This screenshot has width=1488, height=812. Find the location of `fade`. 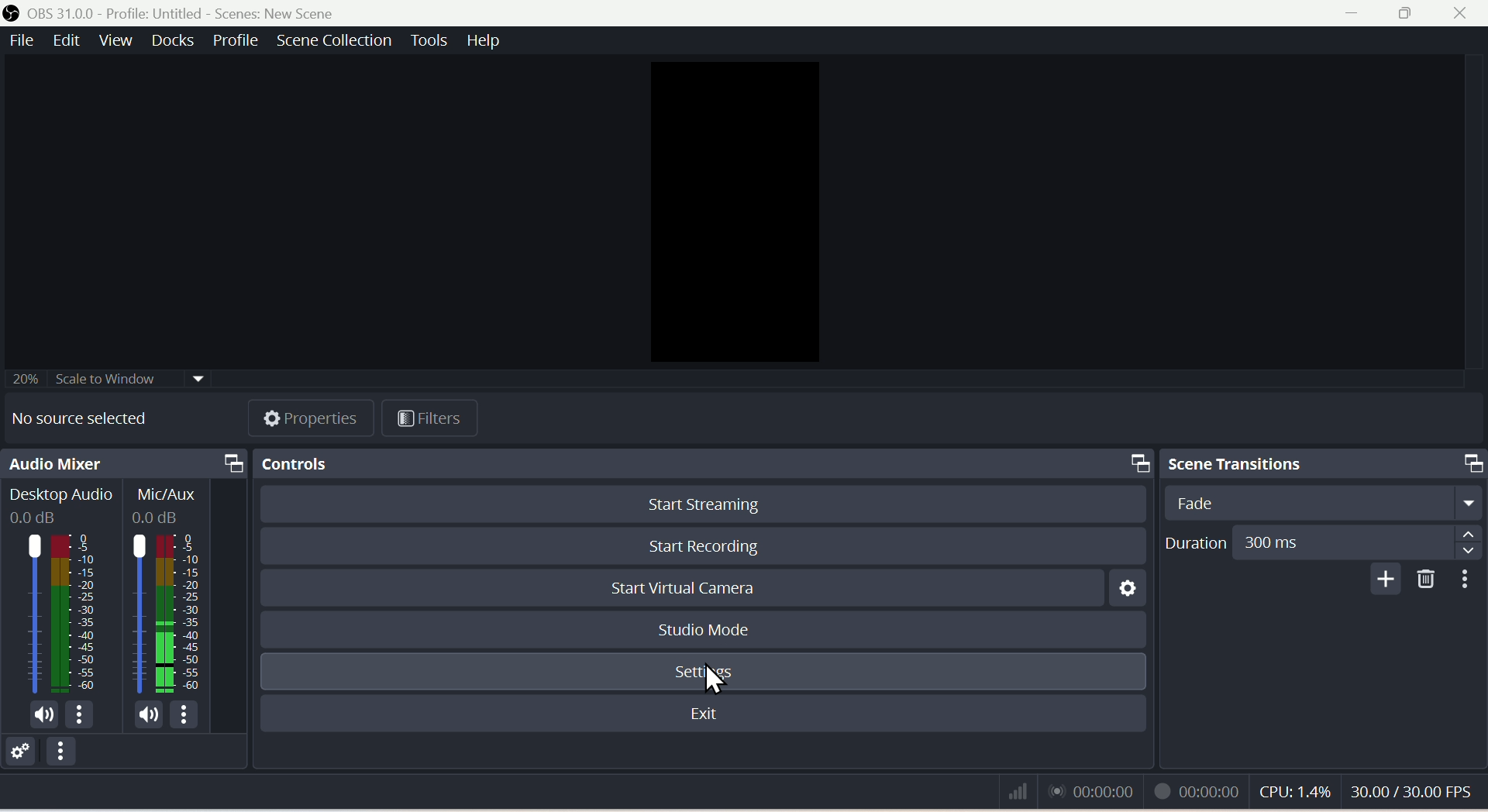

fade is located at coordinates (1327, 502).